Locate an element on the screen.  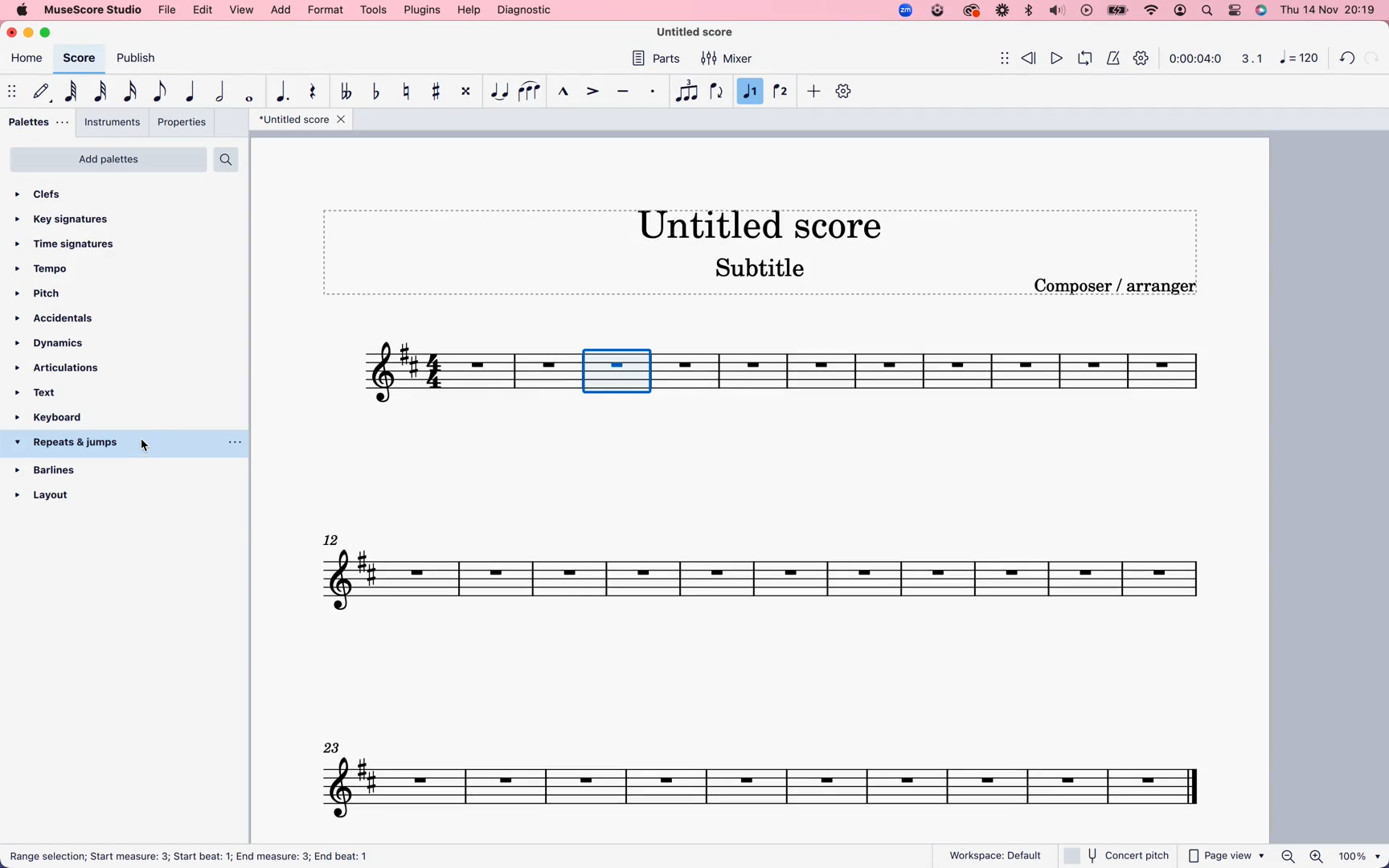
settings is located at coordinates (846, 91).